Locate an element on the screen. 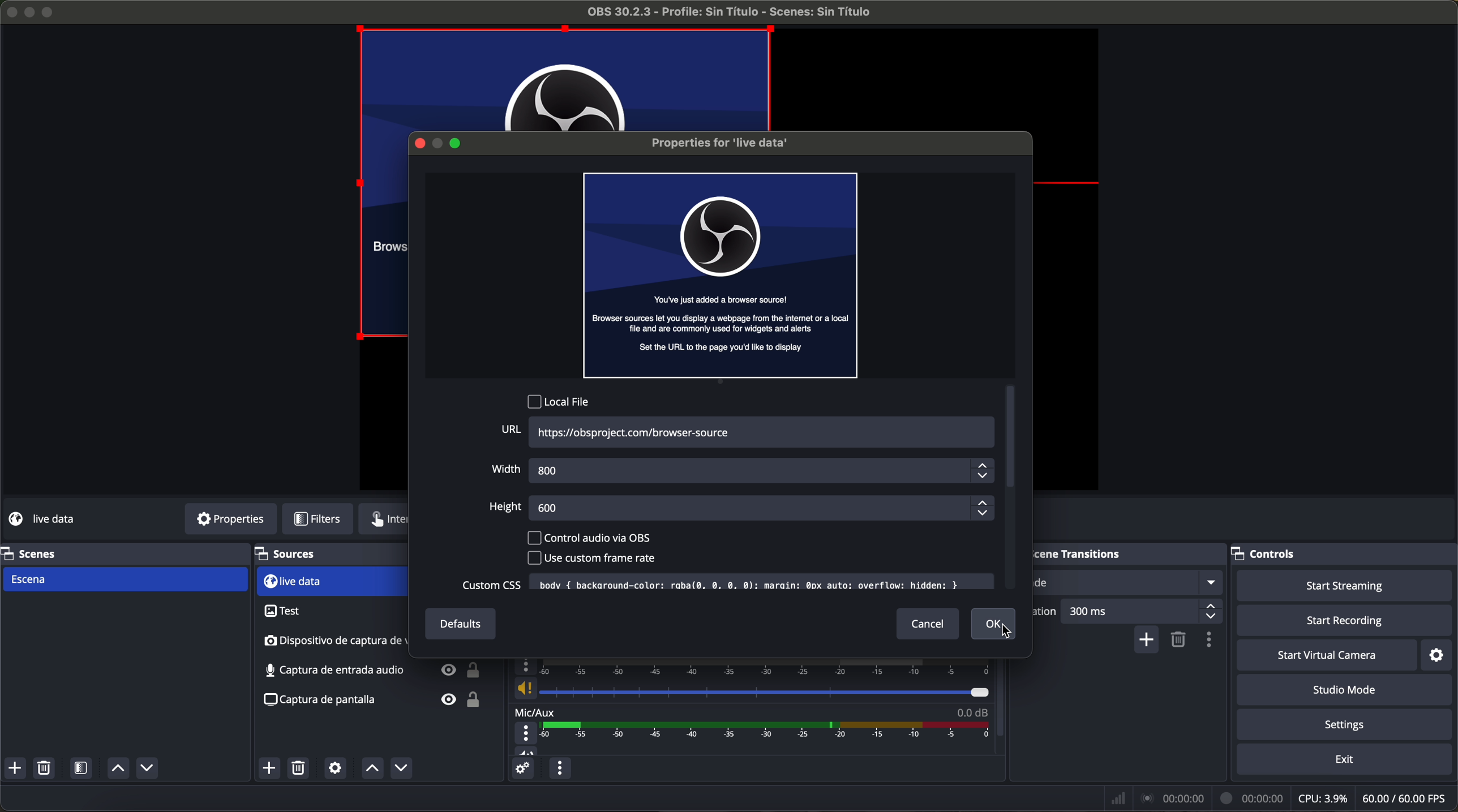 This screenshot has height=812, width=1458. timeline is located at coordinates (768, 737).